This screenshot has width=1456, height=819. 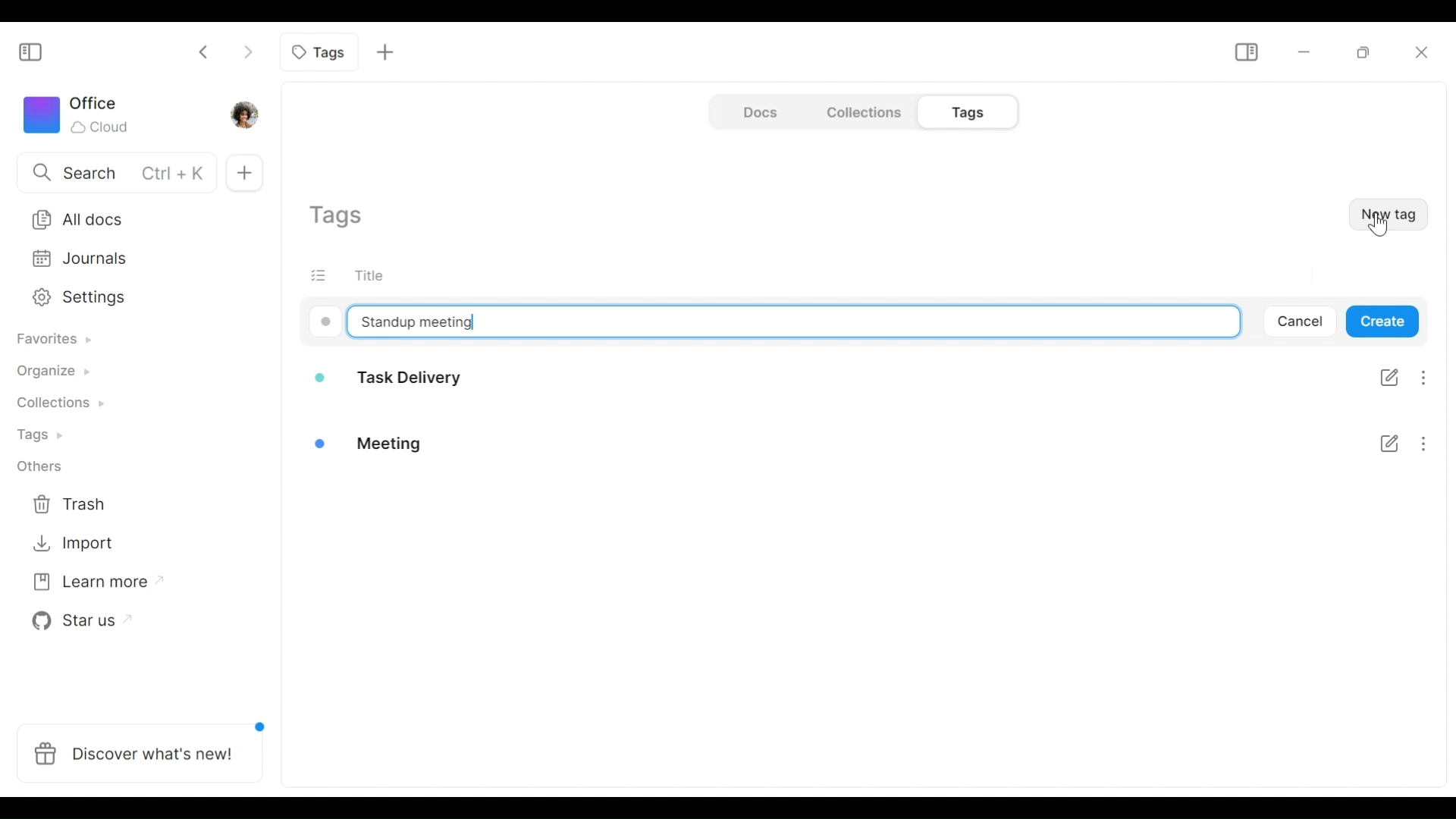 I want to click on Profile photo, so click(x=242, y=114).